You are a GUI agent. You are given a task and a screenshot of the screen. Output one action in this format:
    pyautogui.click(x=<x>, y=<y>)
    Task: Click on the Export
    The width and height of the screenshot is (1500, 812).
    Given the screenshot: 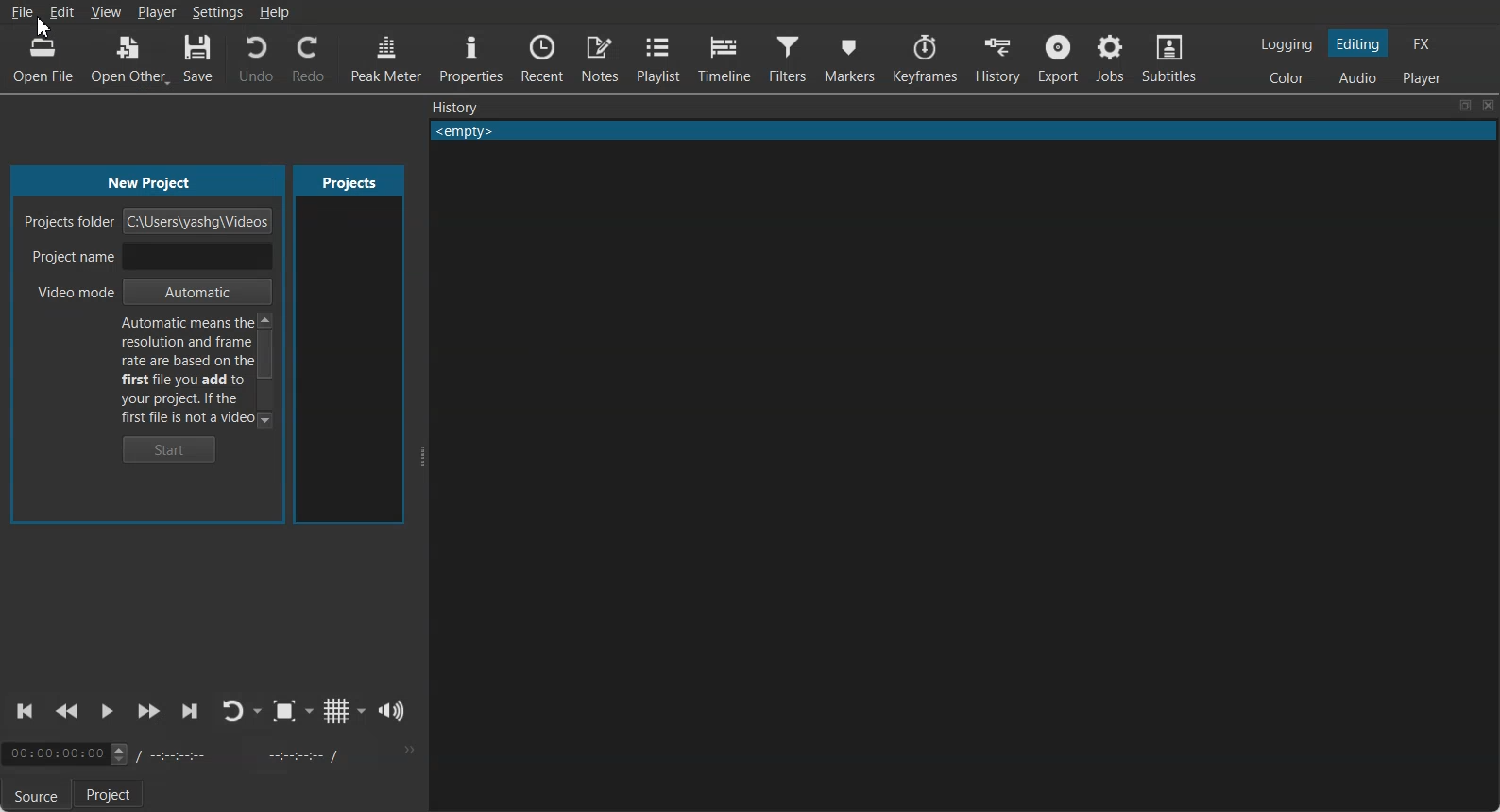 What is the action you would take?
    pyautogui.click(x=1057, y=58)
    